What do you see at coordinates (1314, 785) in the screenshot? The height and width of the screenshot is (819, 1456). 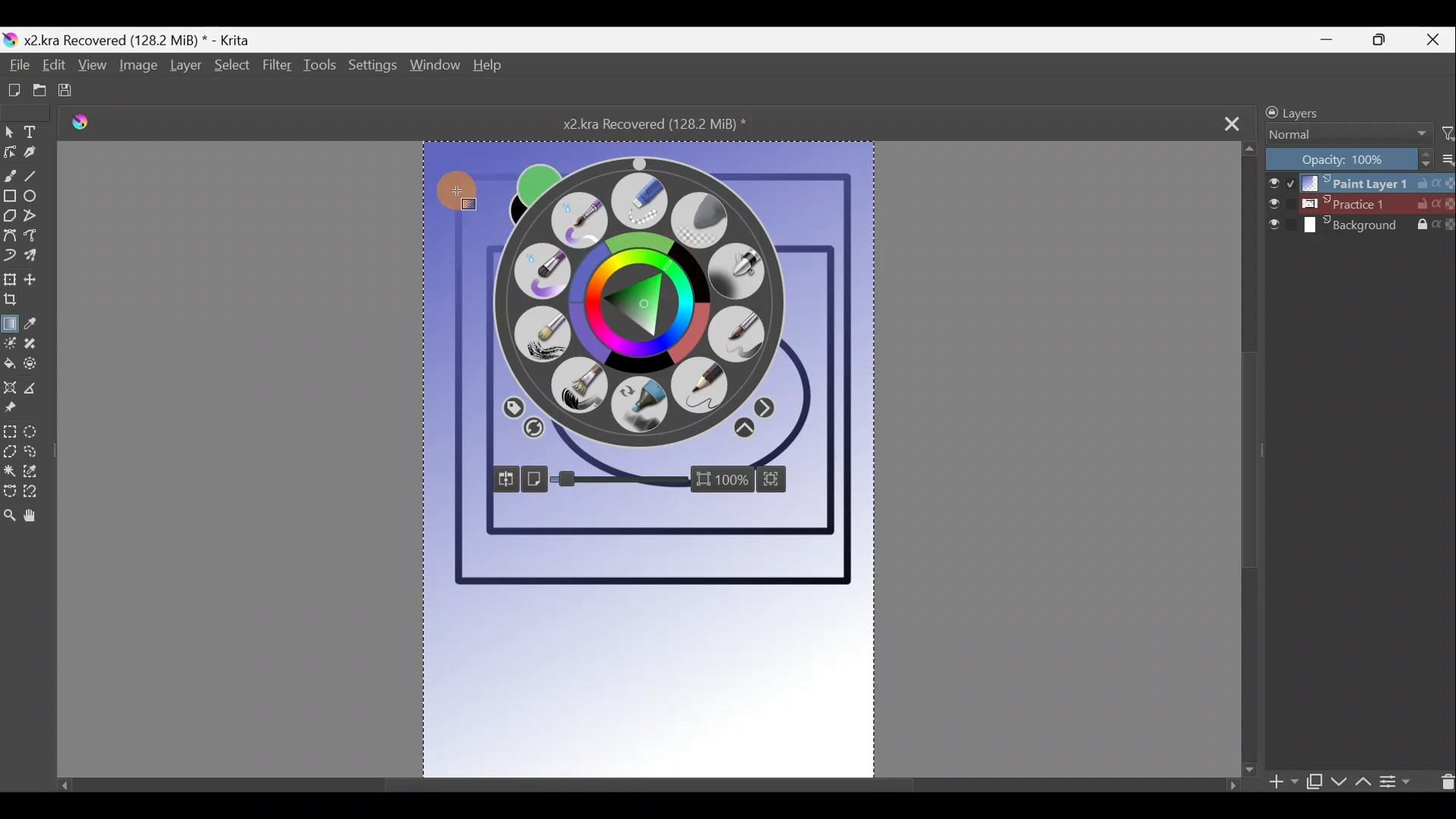 I see `Duplicate layer/mask` at bounding box center [1314, 785].